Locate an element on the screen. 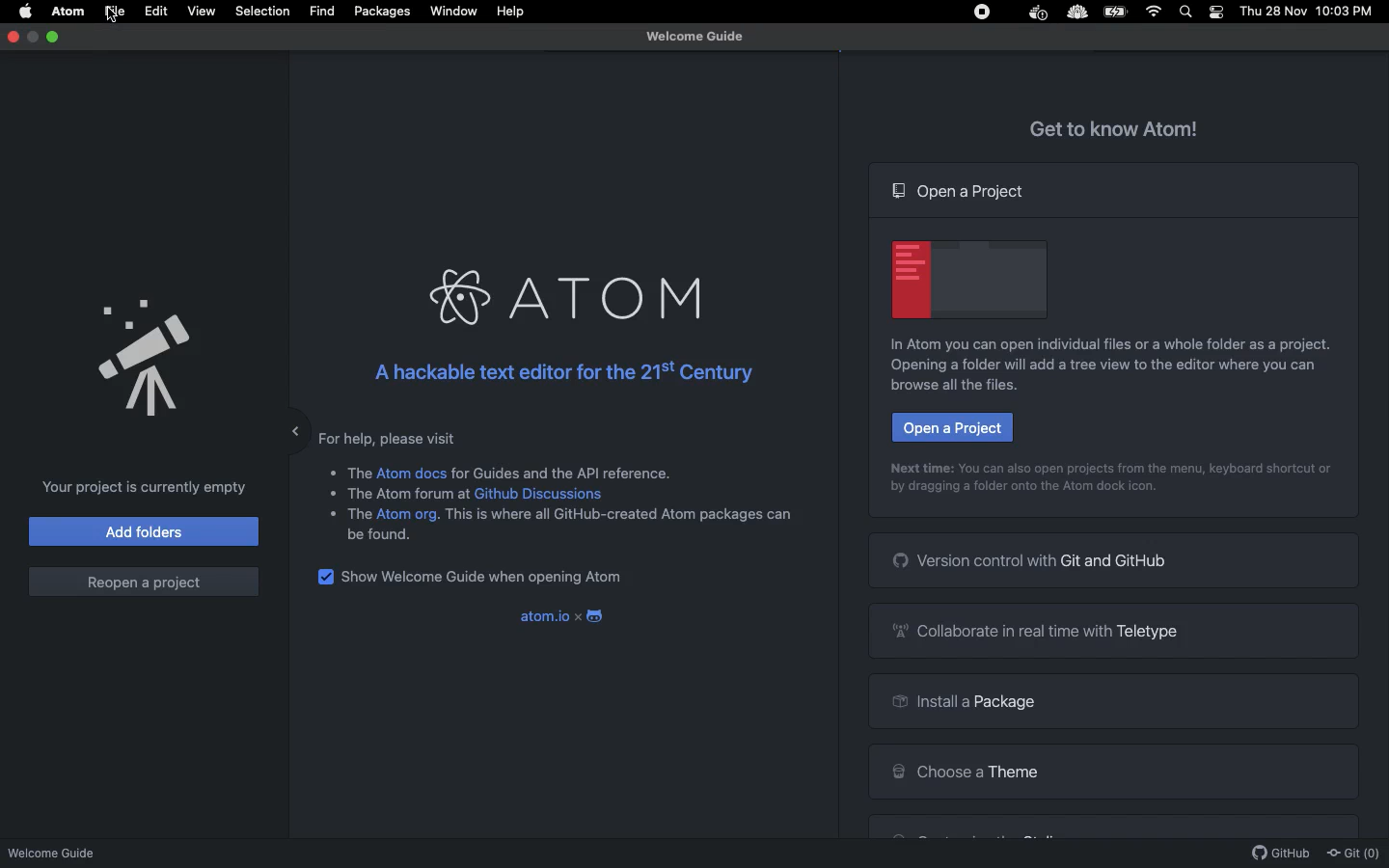 The image size is (1389, 868). Open a project is located at coordinates (961, 191).